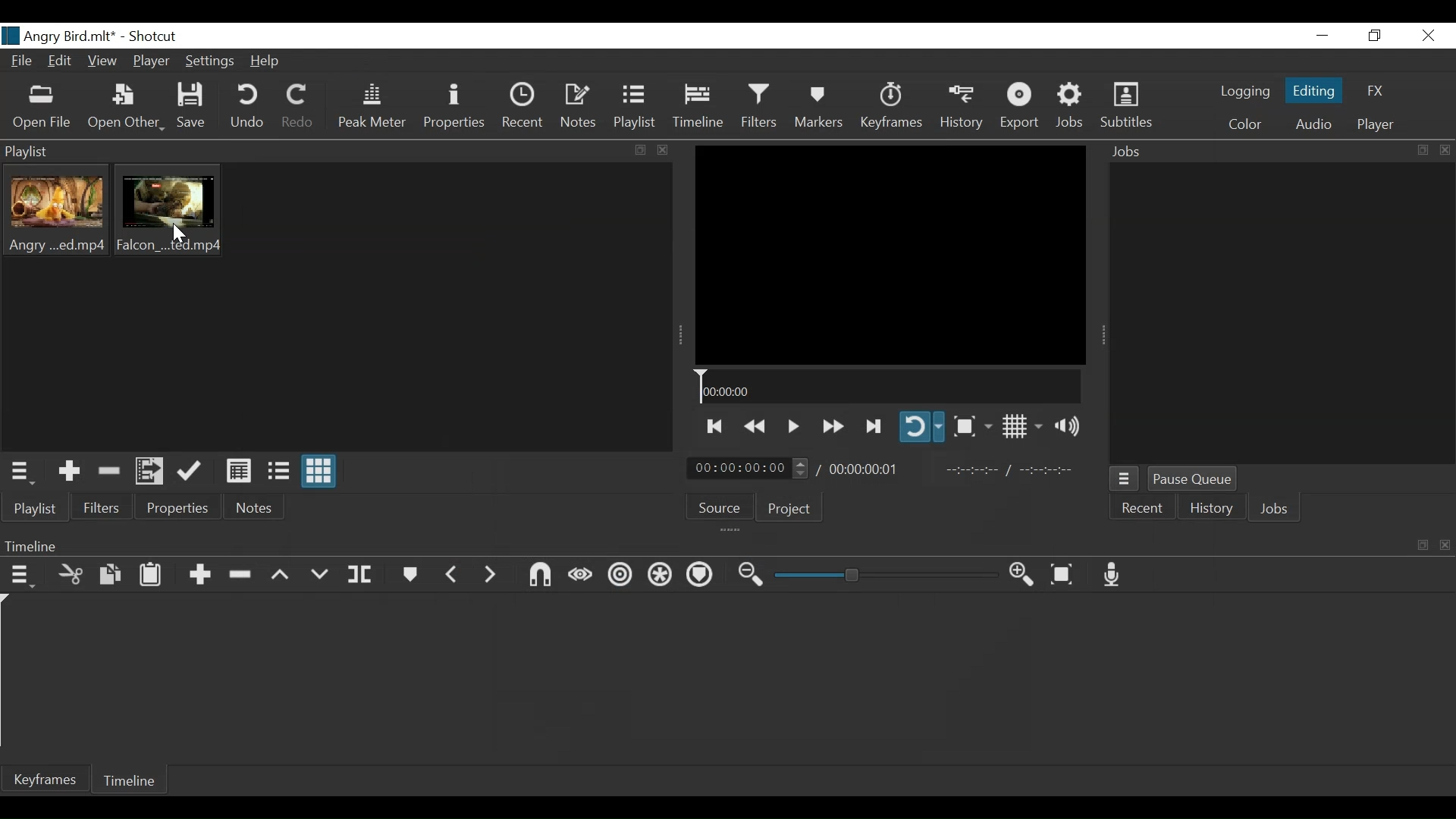 This screenshot has width=1456, height=819. Describe the element at coordinates (540, 576) in the screenshot. I see `Snap ` at that location.